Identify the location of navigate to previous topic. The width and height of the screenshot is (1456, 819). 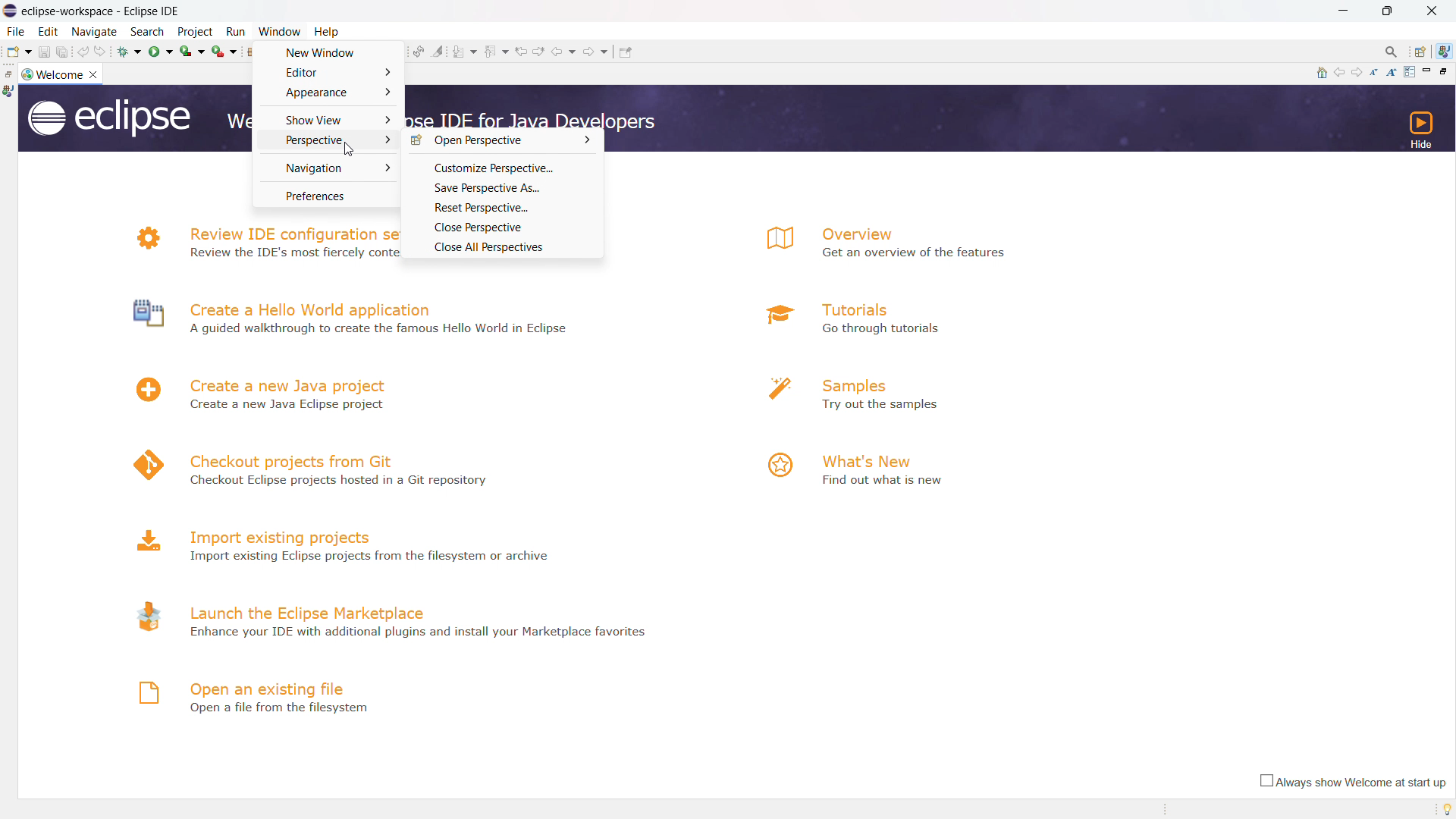
(1339, 73).